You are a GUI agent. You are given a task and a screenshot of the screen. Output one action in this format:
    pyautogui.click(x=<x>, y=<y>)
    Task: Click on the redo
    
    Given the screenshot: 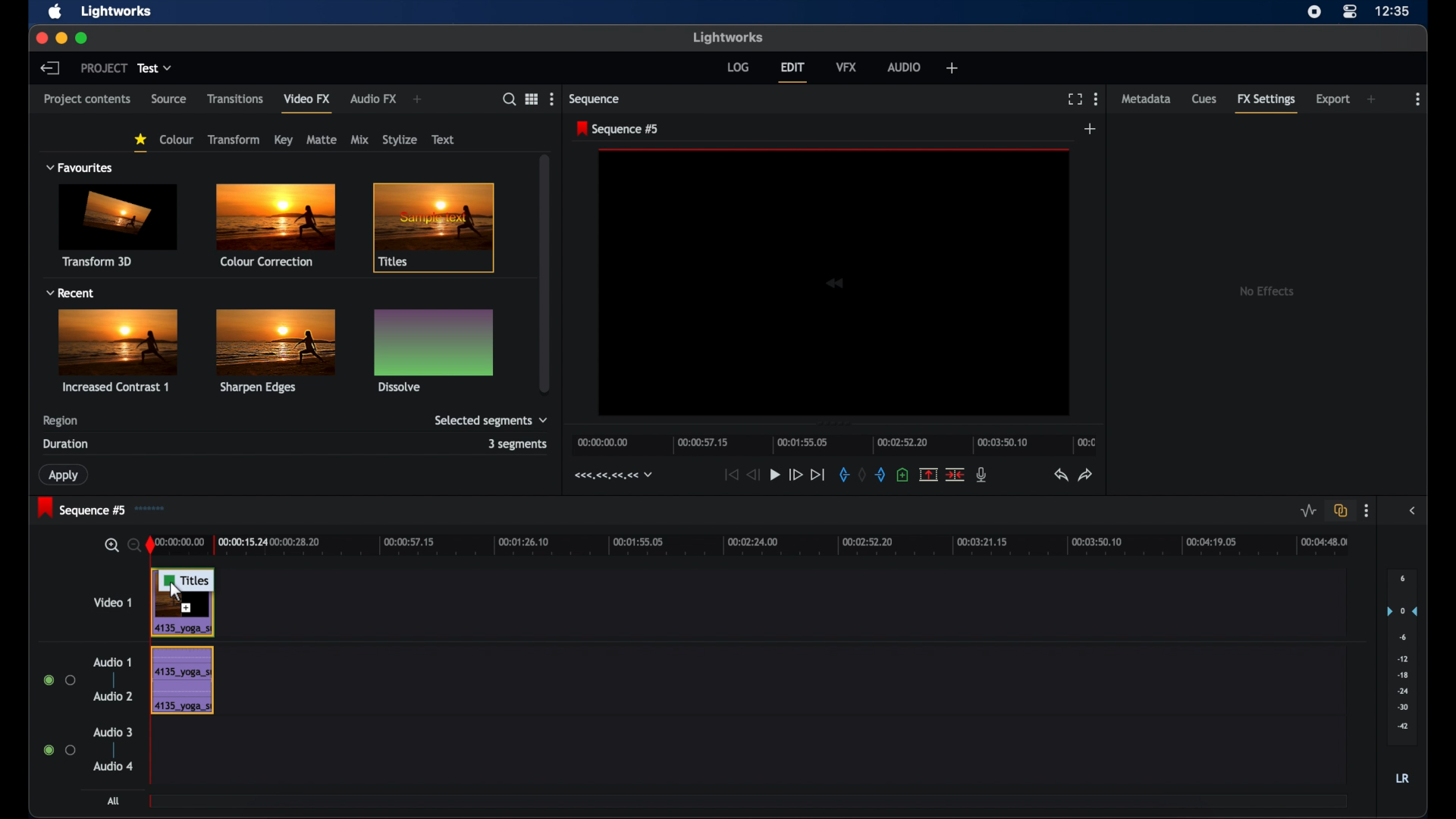 What is the action you would take?
    pyautogui.click(x=1087, y=475)
    